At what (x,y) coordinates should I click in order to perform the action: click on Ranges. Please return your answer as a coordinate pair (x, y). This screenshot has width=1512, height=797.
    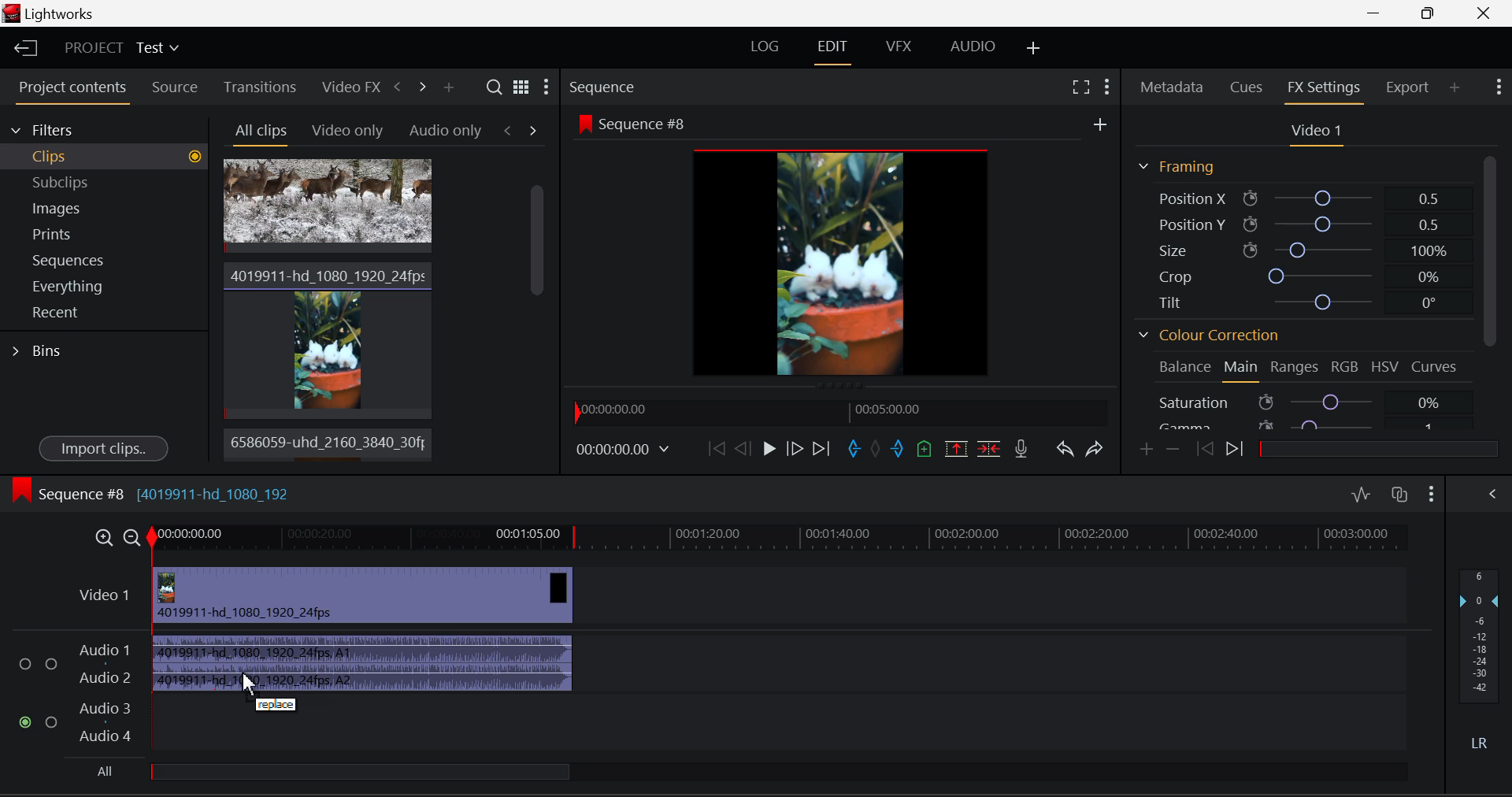
    Looking at the image, I should click on (1294, 367).